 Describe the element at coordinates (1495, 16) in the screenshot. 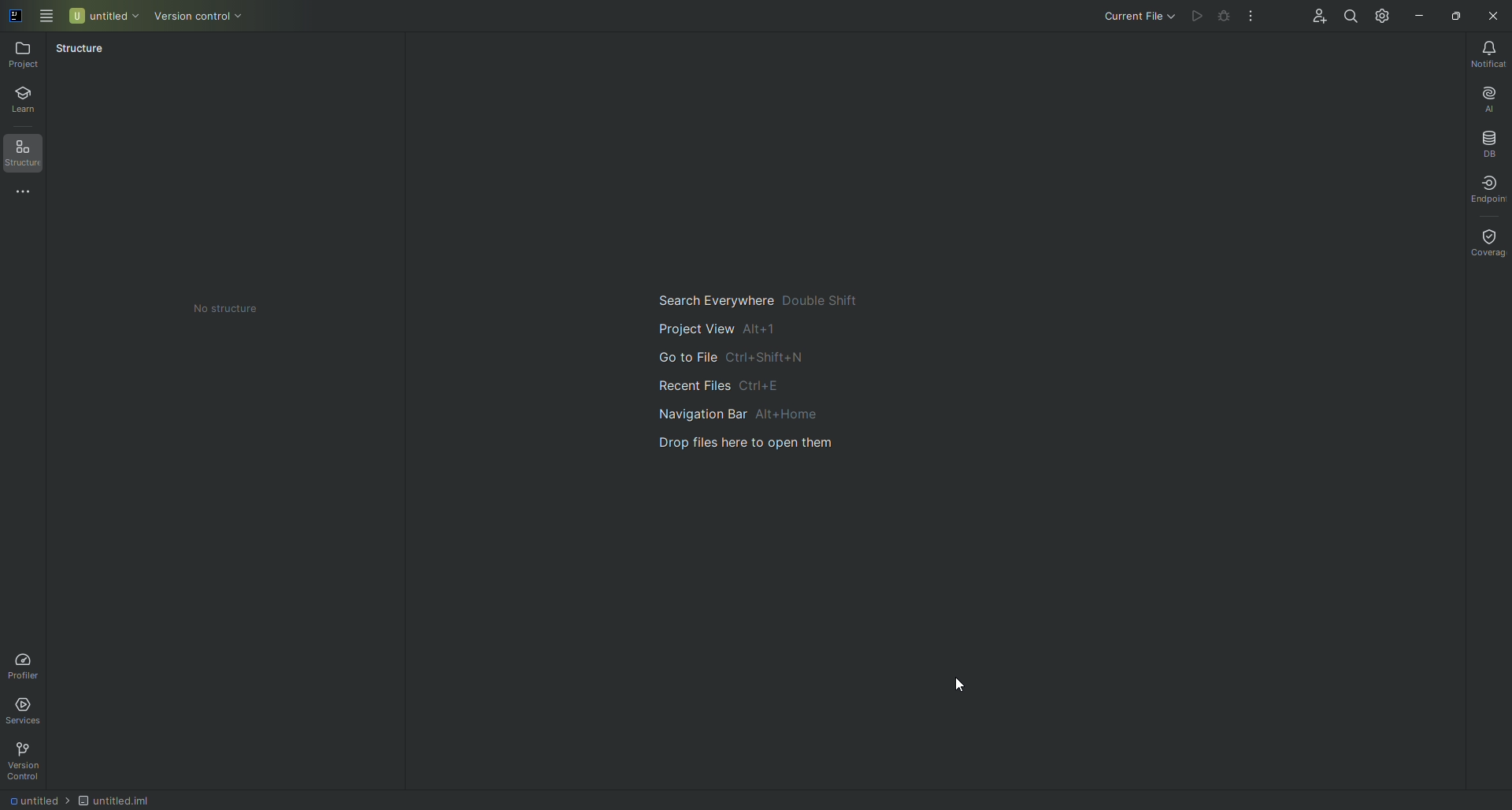

I see `Close` at that location.